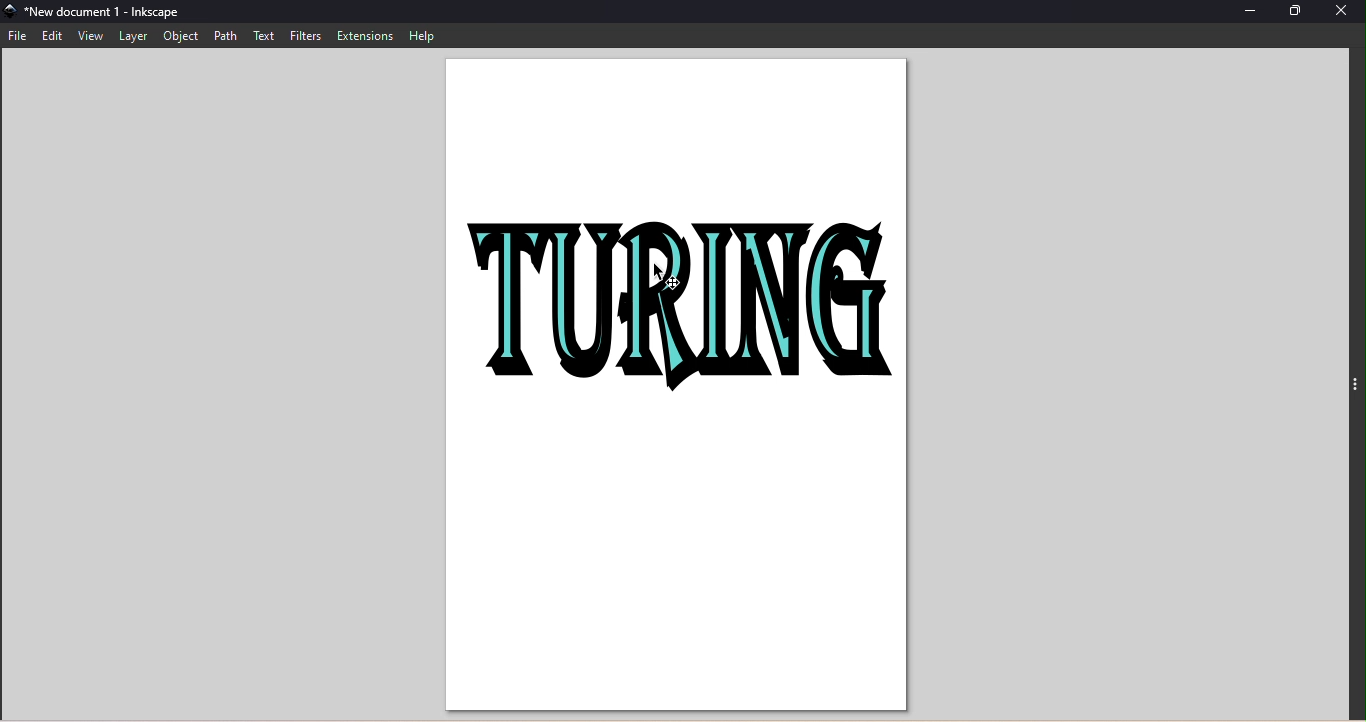 The width and height of the screenshot is (1366, 722). Describe the element at coordinates (135, 37) in the screenshot. I see `Layer` at that location.